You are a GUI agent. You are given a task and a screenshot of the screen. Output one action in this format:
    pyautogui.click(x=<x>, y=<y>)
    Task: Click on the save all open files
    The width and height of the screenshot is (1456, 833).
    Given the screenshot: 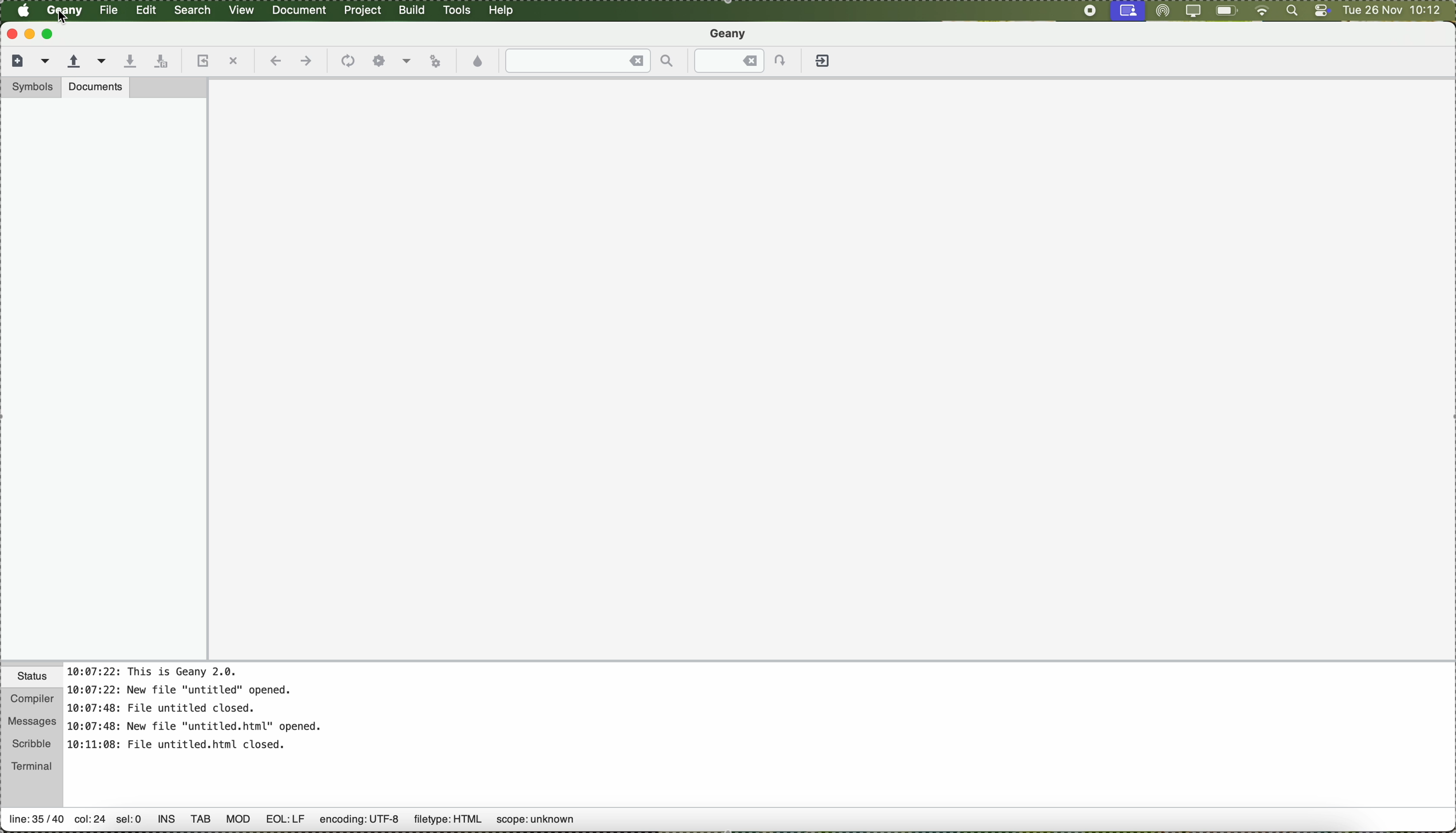 What is the action you would take?
    pyautogui.click(x=162, y=62)
    